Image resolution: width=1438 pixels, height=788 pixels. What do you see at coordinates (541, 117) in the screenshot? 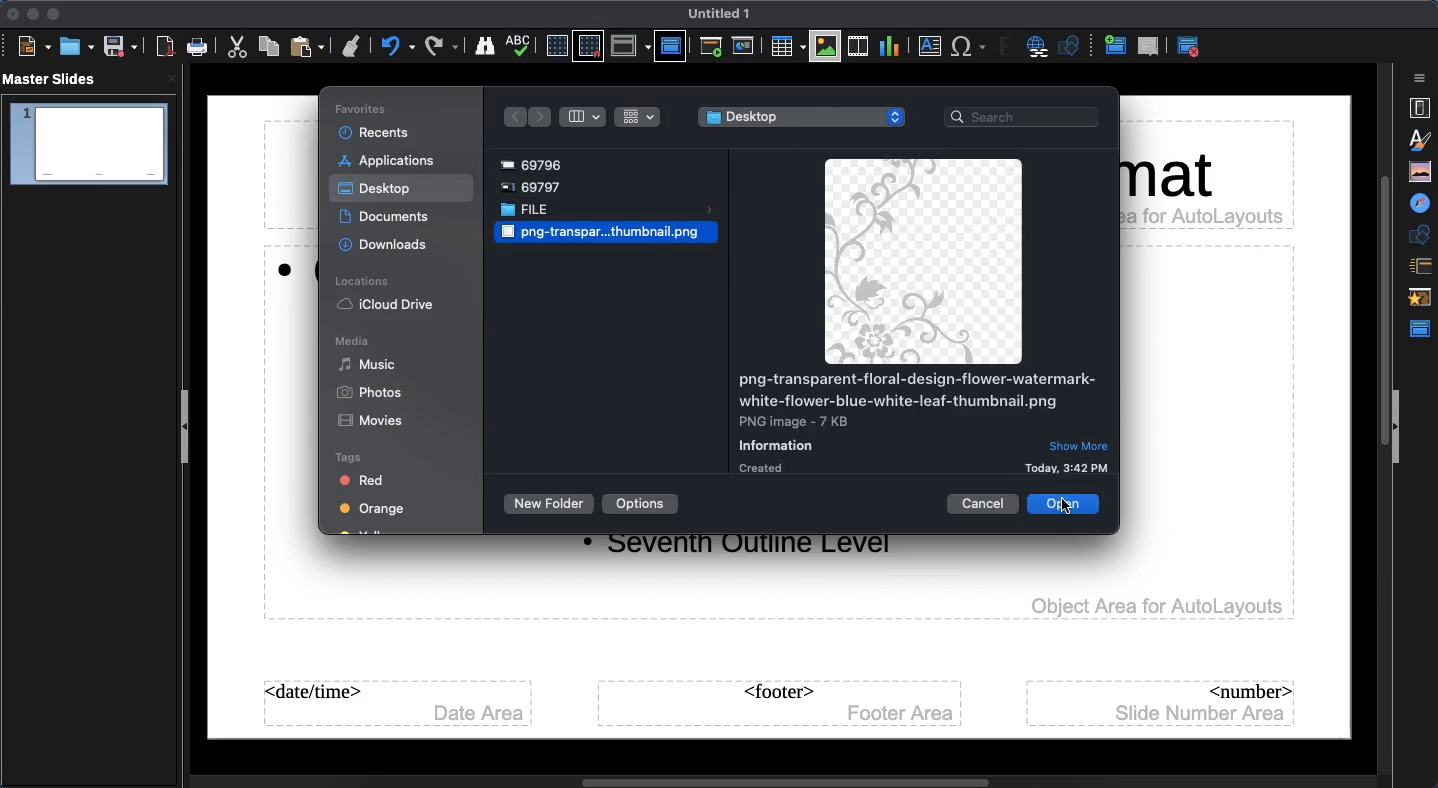
I see `Forward` at bounding box center [541, 117].